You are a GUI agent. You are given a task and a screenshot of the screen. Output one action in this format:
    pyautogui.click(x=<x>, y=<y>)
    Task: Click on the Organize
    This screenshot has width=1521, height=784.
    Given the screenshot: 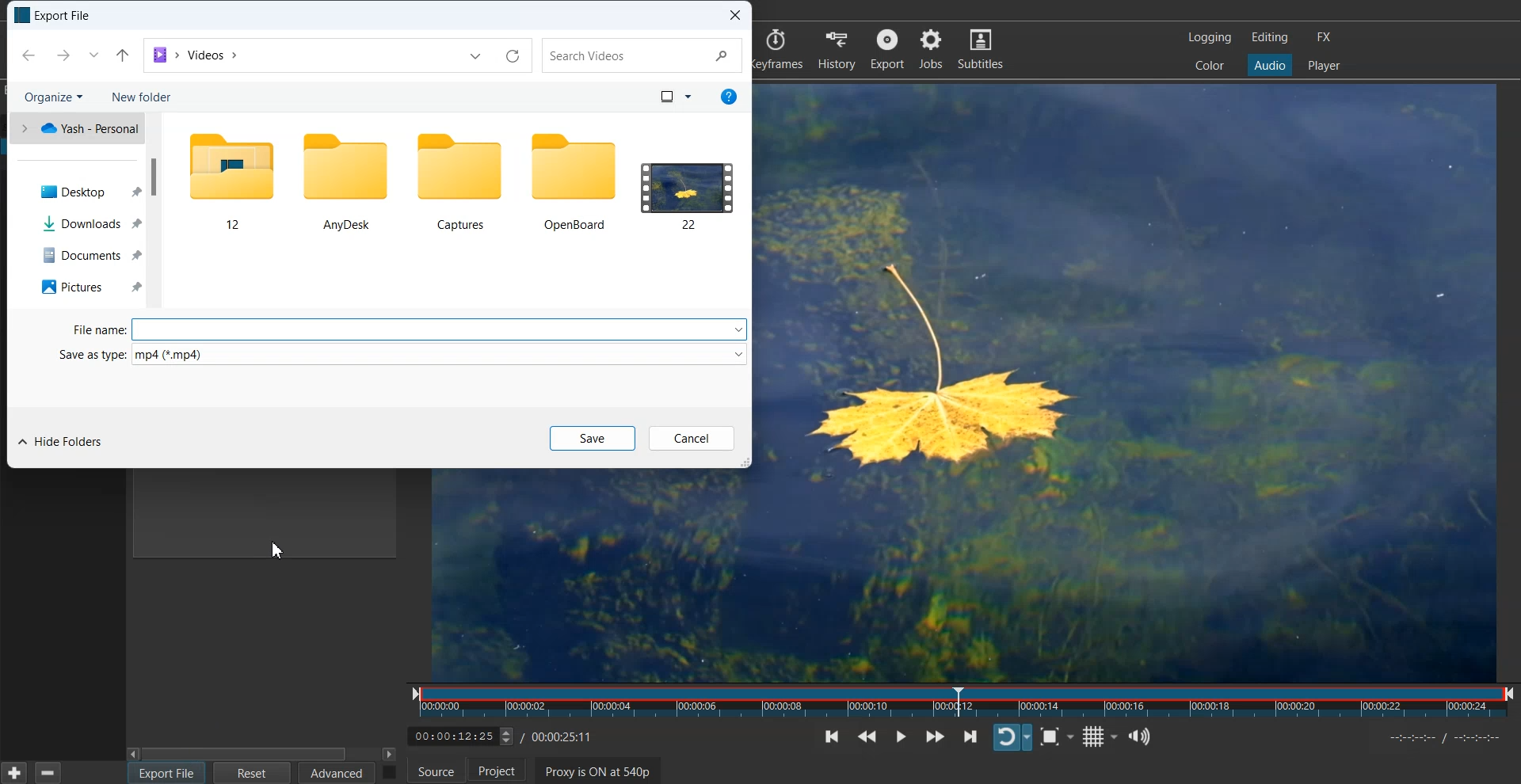 What is the action you would take?
    pyautogui.click(x=59, y=96)
    